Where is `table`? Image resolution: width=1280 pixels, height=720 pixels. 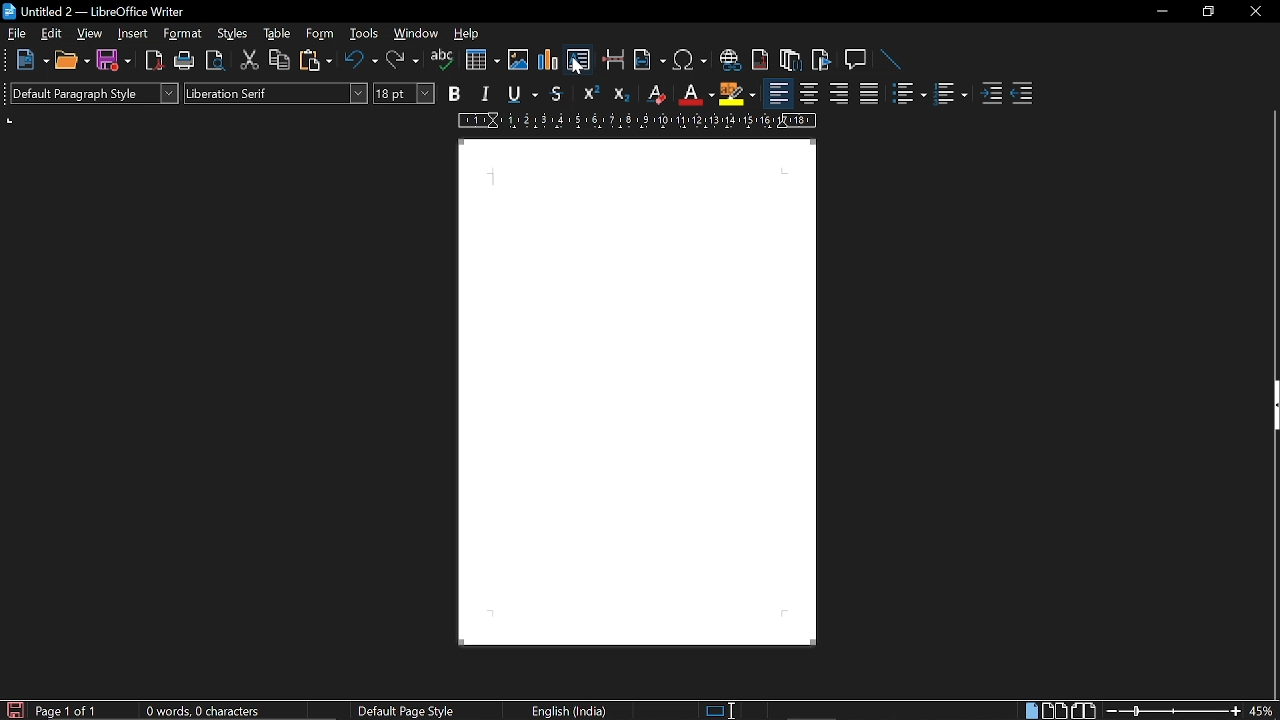 table is located at coordinates (276, 34).